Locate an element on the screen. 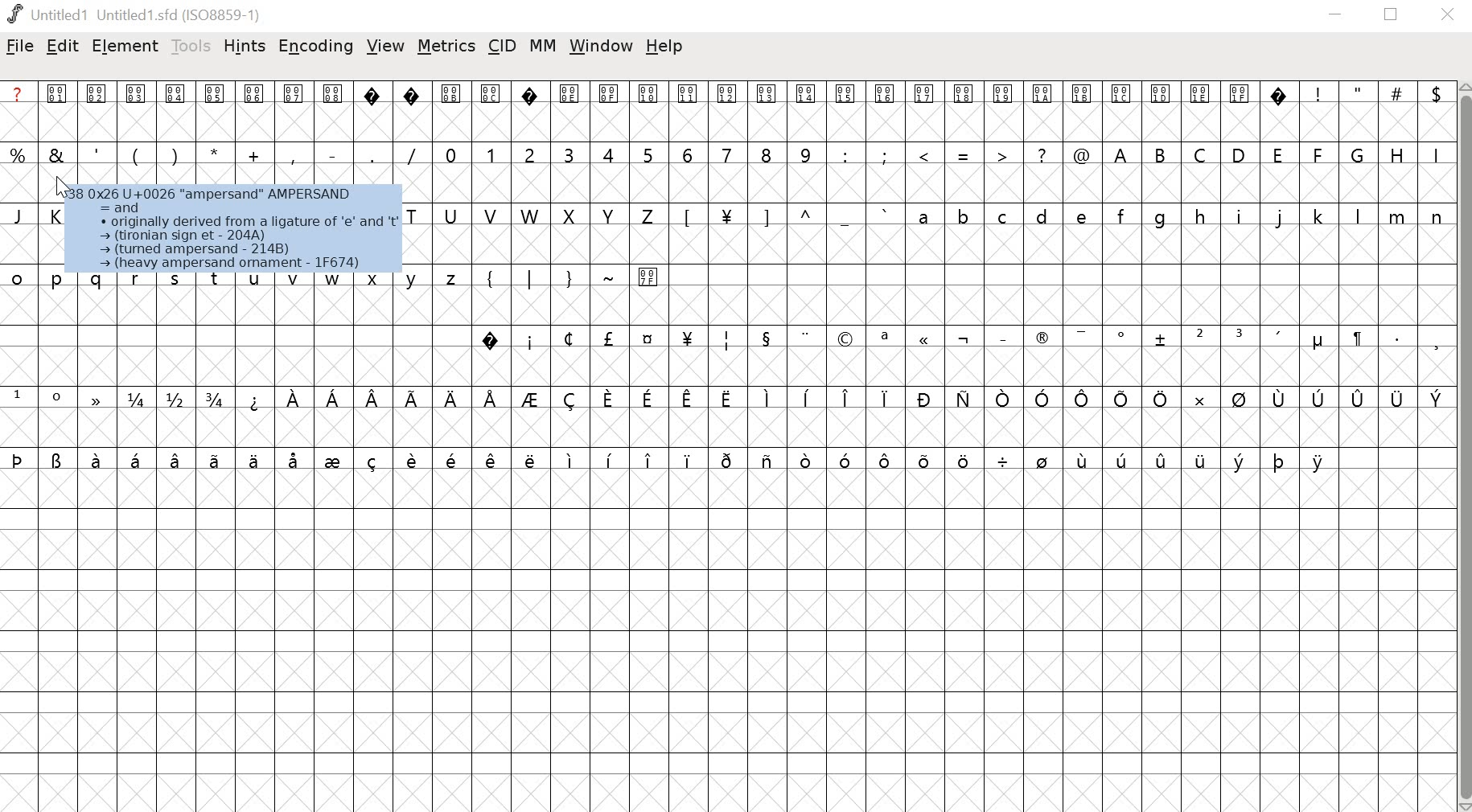  ( is located at coordinates (134, 155).